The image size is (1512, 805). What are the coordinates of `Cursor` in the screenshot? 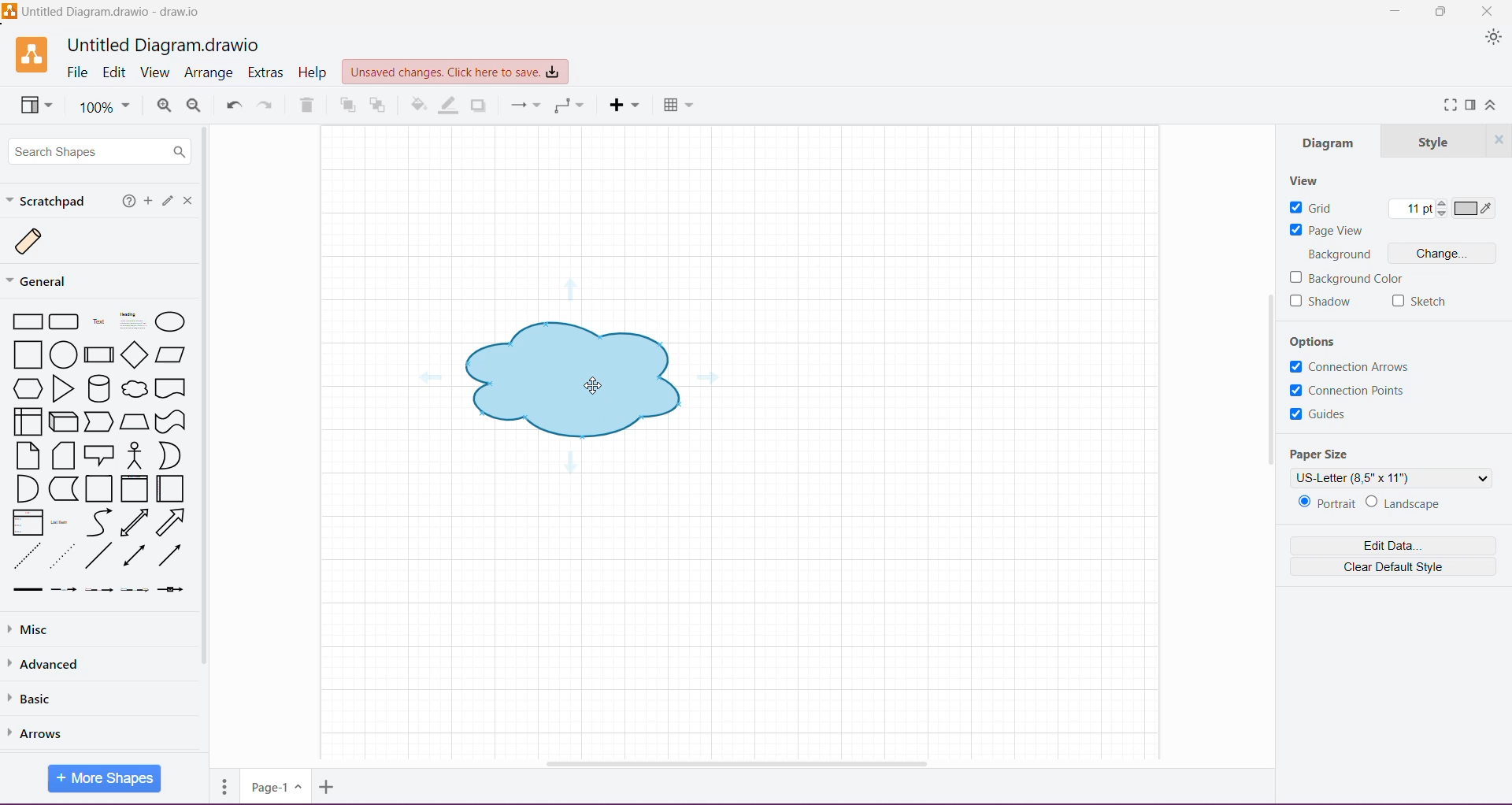 It's located at (584, 384).